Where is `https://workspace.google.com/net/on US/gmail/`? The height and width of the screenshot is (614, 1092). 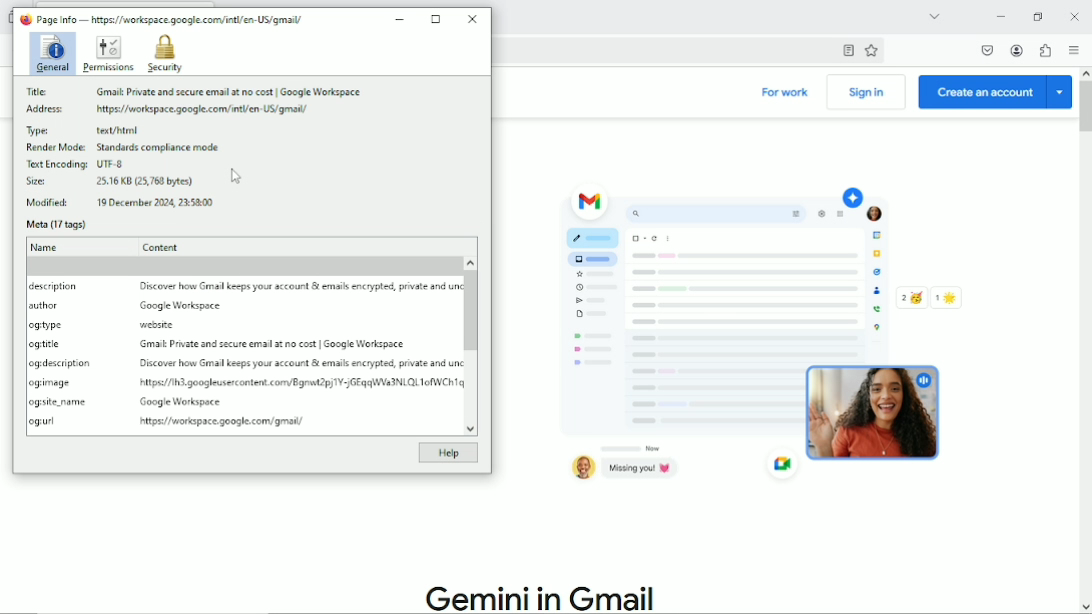
https://workspace.google.com/net/on US/gmail/ is located at coordinates (202, 111).